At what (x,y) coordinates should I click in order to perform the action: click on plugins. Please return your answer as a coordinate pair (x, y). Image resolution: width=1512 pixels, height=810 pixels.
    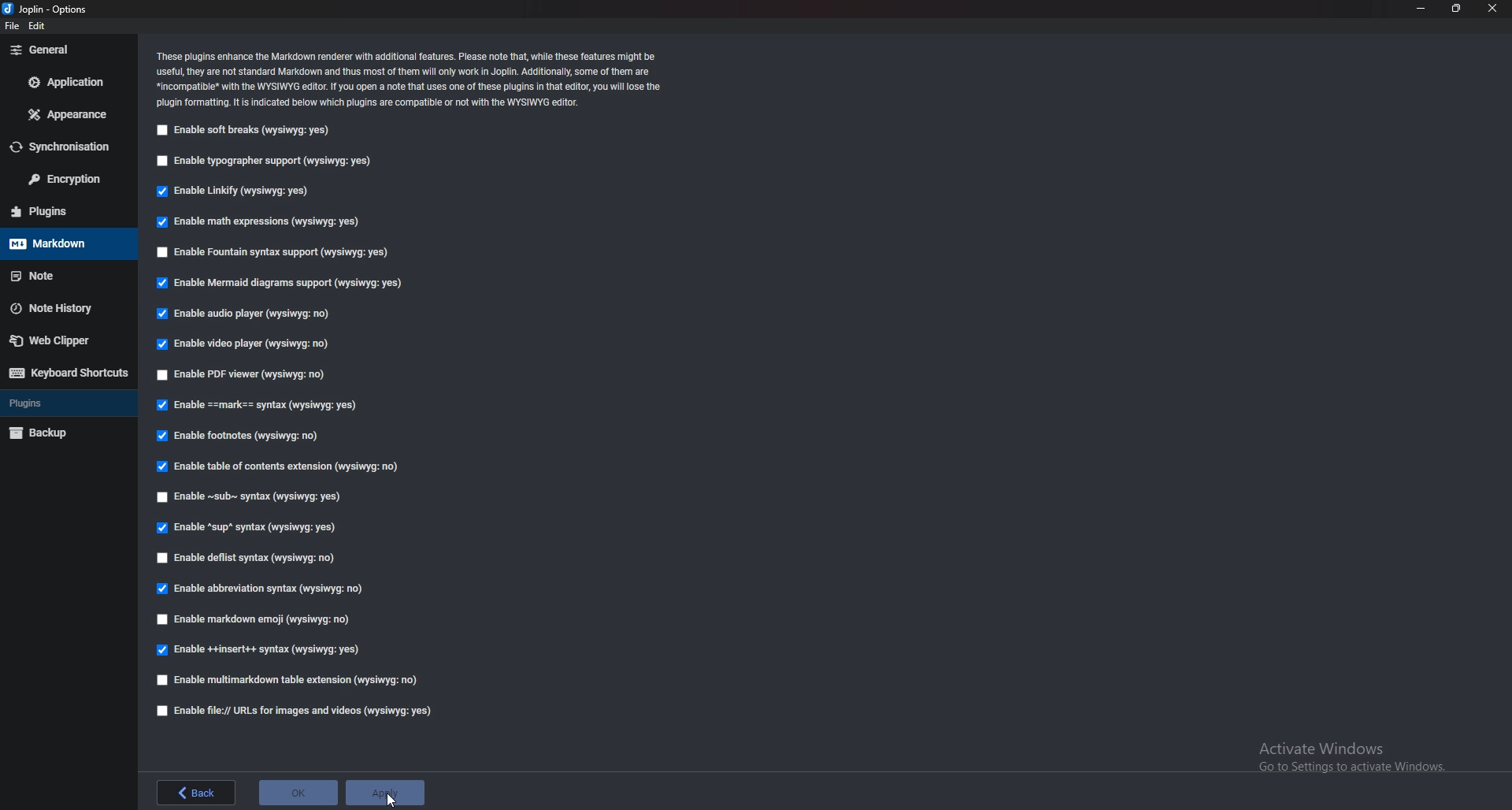
    Looking at the image, I should click on (61, 210).